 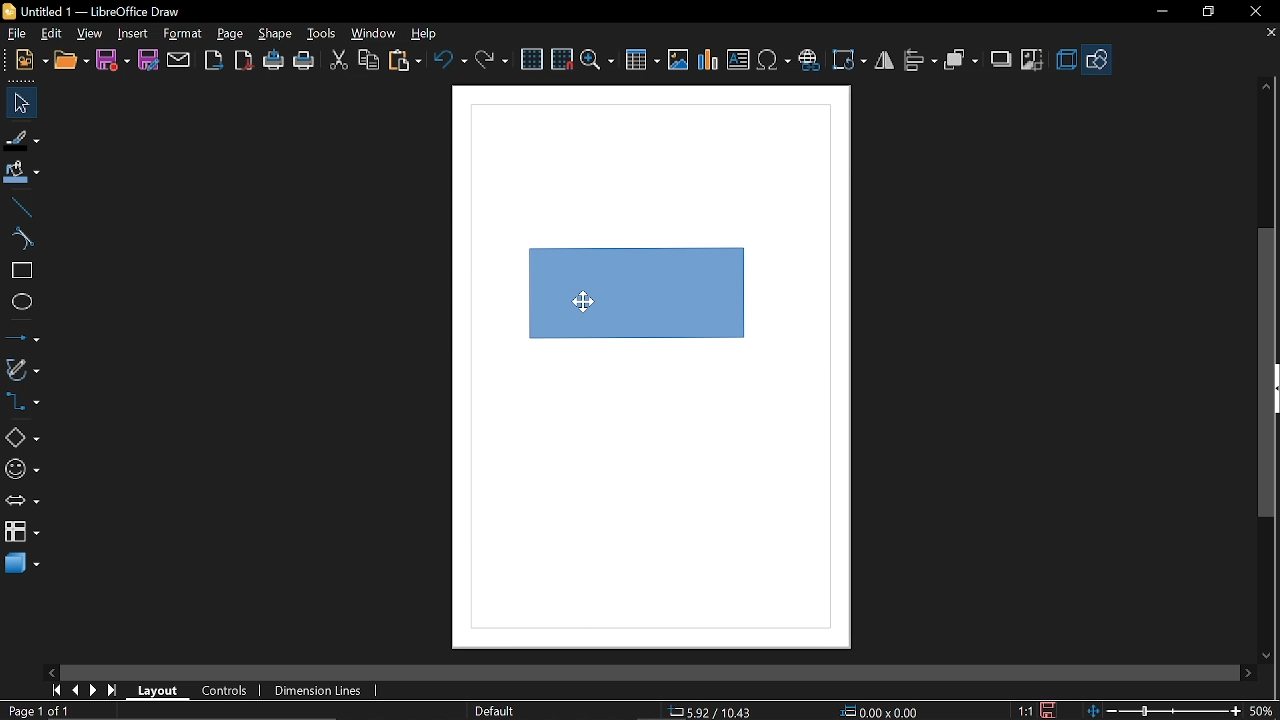 I want to click on save as, so click(x=148, y=60).